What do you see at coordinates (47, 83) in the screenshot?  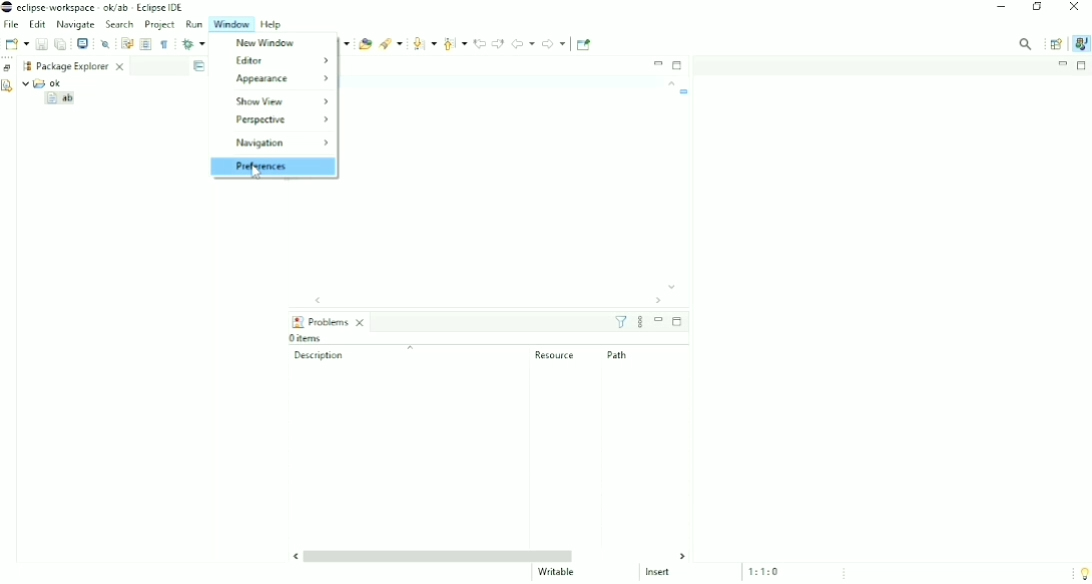 I see `ok` at bounding box center [47, 83].